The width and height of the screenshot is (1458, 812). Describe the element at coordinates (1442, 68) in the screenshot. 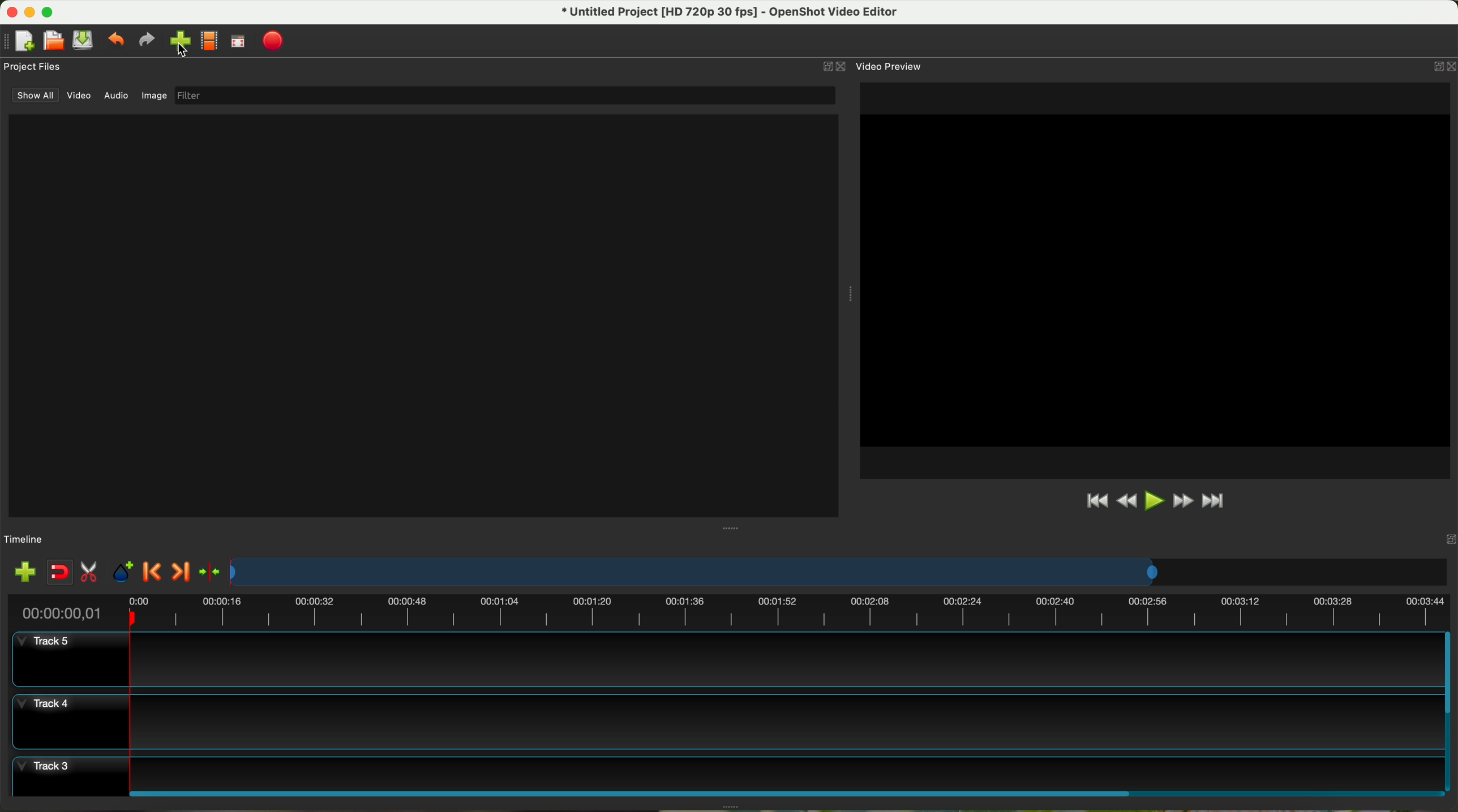

I see `close` at that location.